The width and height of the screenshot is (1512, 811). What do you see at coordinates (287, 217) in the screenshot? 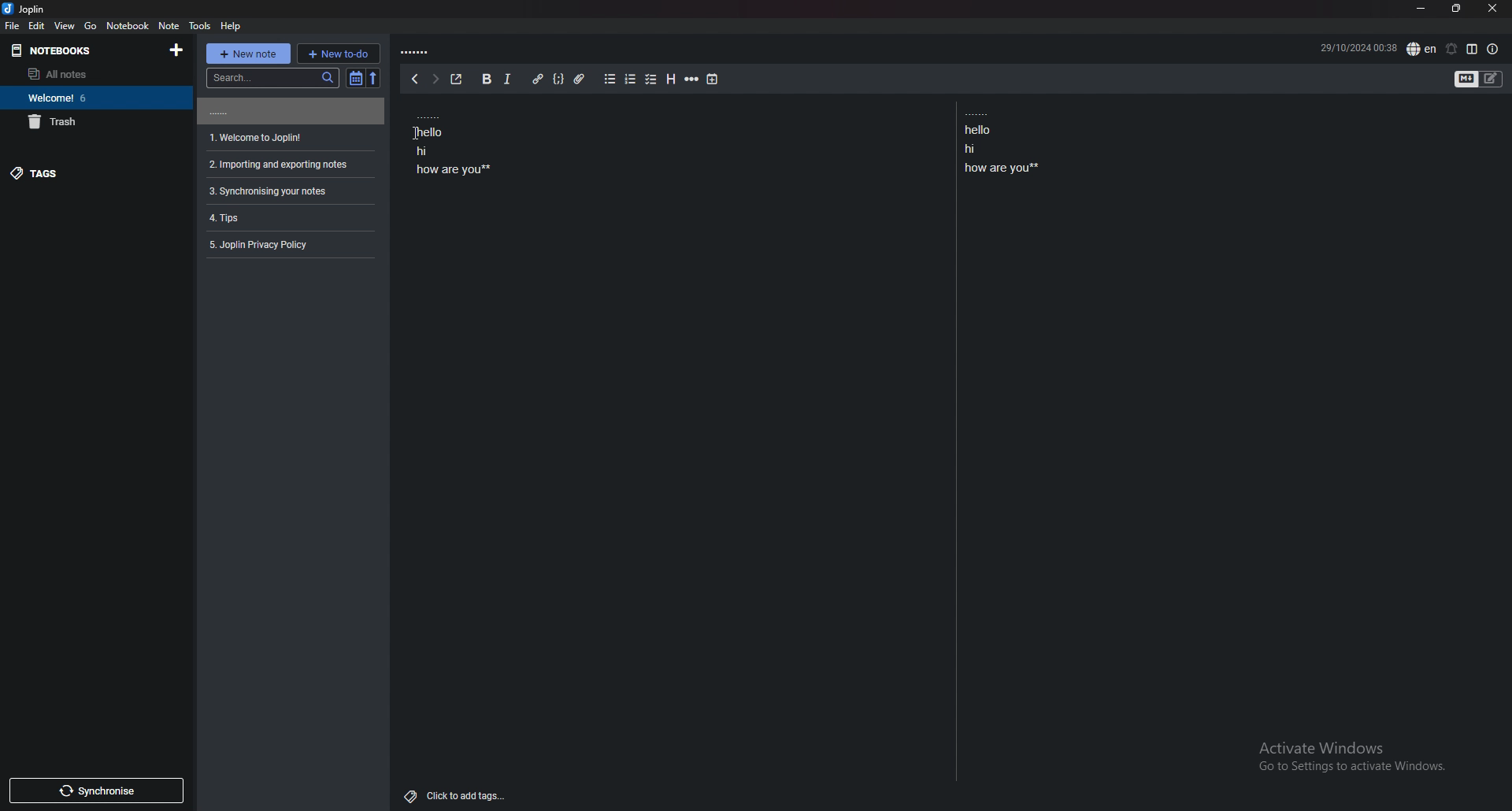
I see `note` at bounding box center [287, 217].